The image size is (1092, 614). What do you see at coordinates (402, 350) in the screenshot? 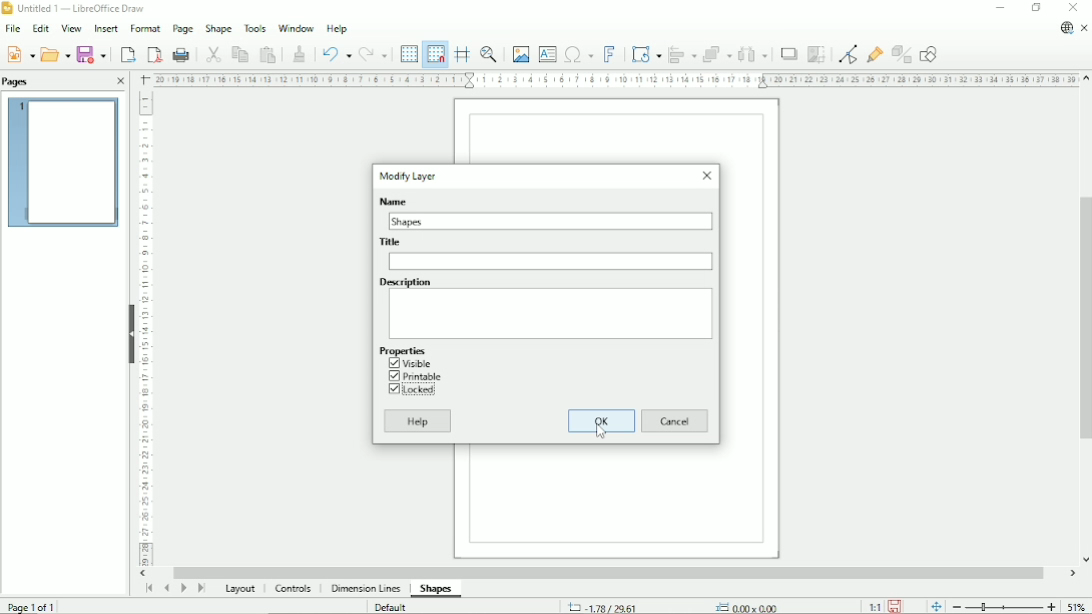
I see `Properties` at bounding box center [402, 350].